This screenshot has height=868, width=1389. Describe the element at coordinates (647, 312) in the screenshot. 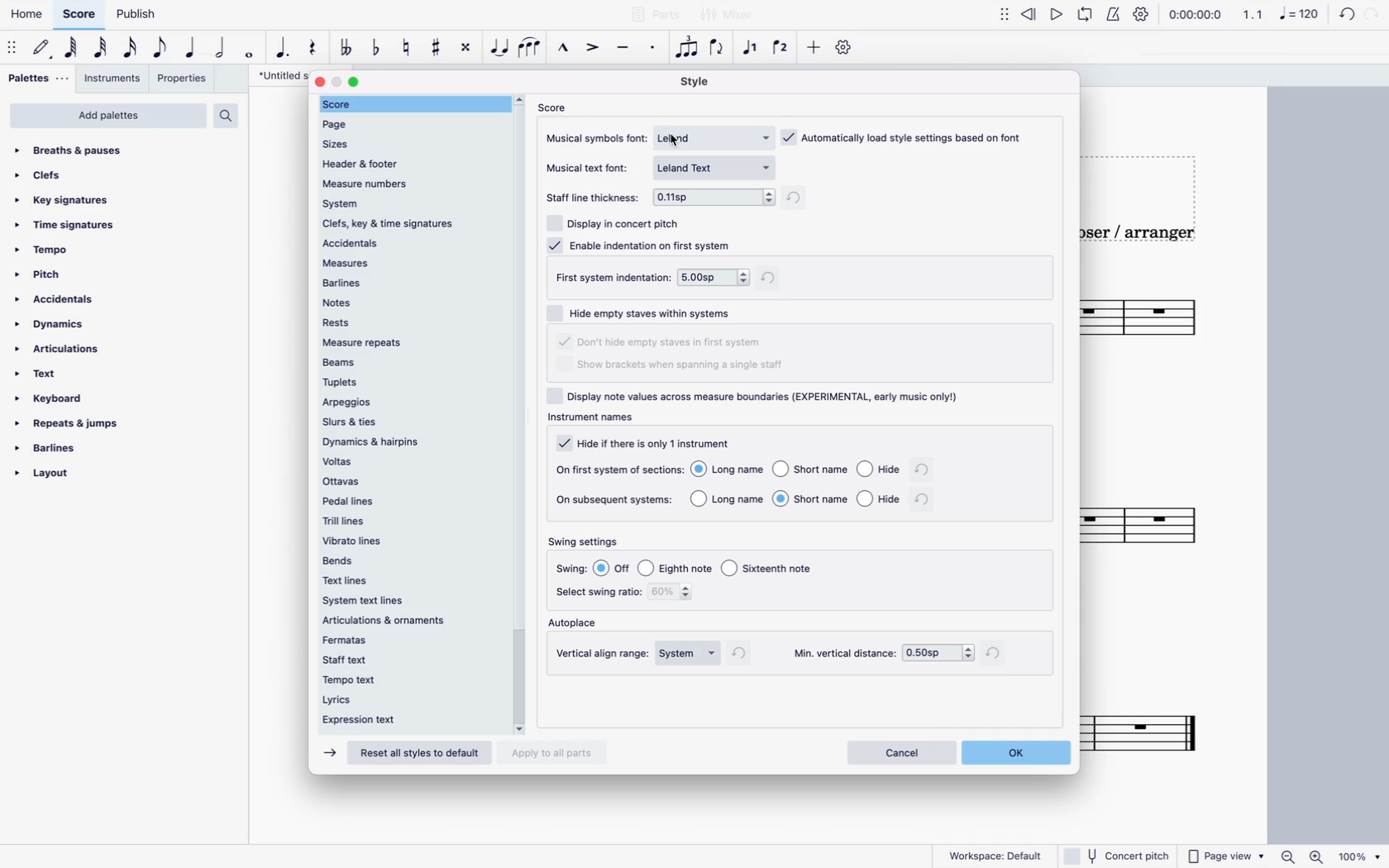

I see `hide empty staves within systems` at that location.